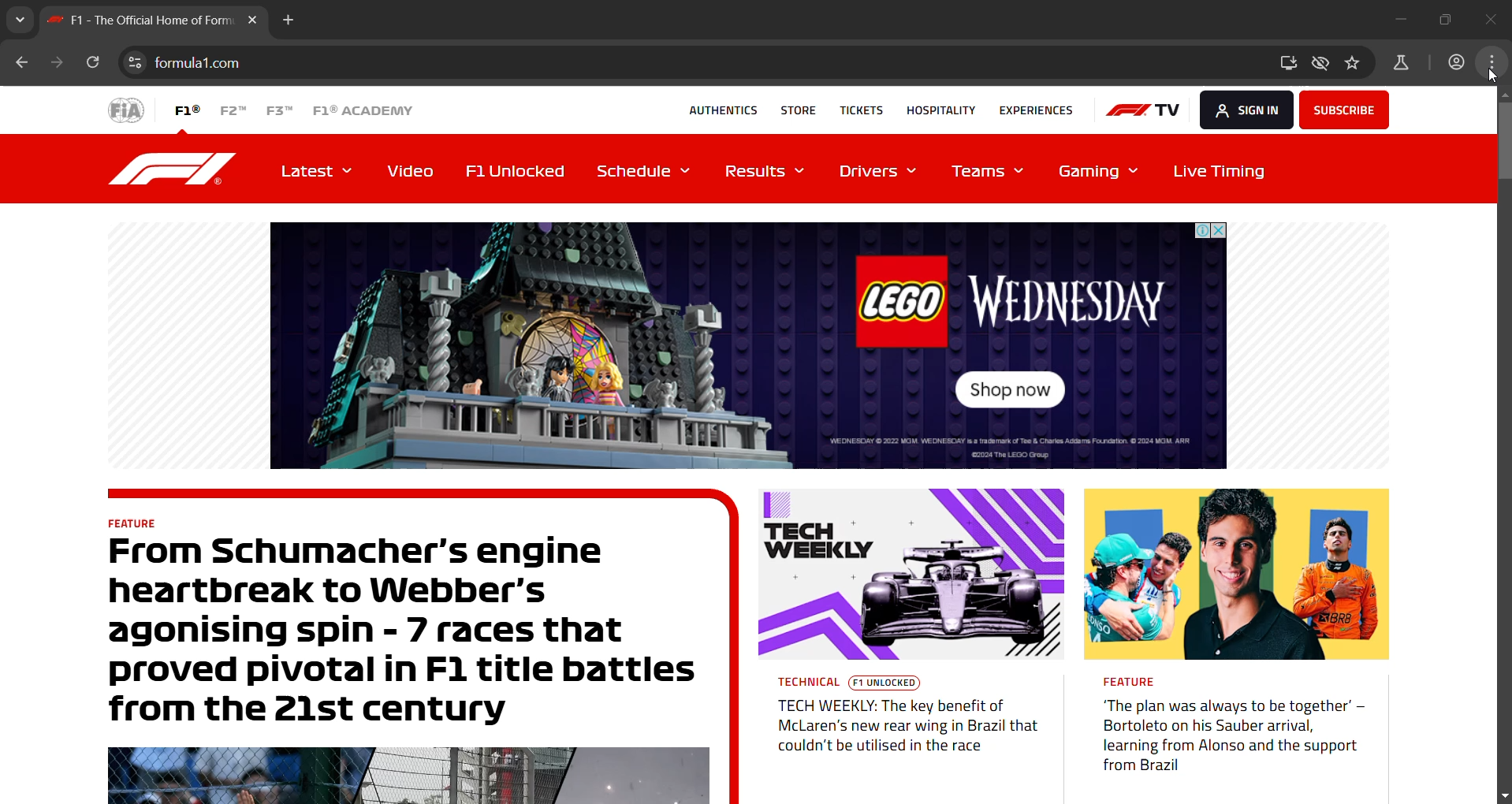 This screenshot has width=1512, height=804. Describe the element at coordinates (903, 642) in the screenshot. I see `News : TECH WEEKLY TECHNICAL TECH WEEKLY: The key benefit ofMcLaren's new rear wing in Brazil thatcouldn't be utilised in the race` at that location.